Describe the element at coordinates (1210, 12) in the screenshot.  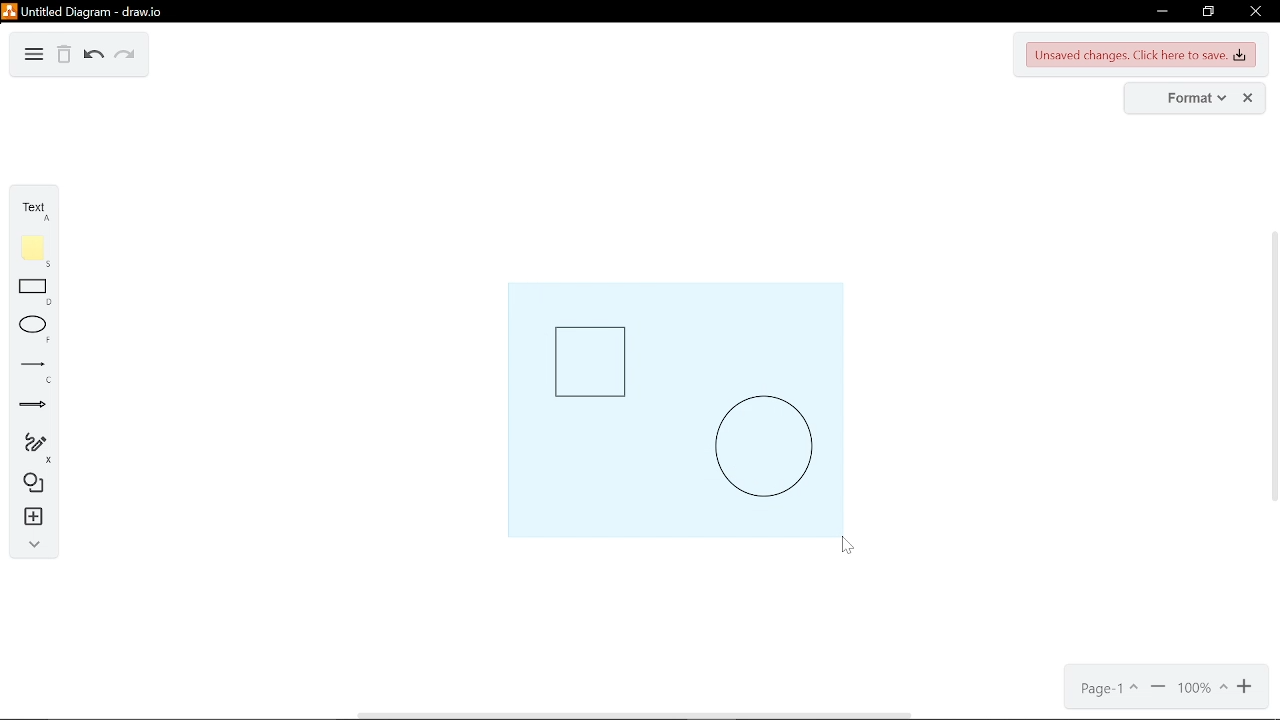
I see `restore down` at that location.